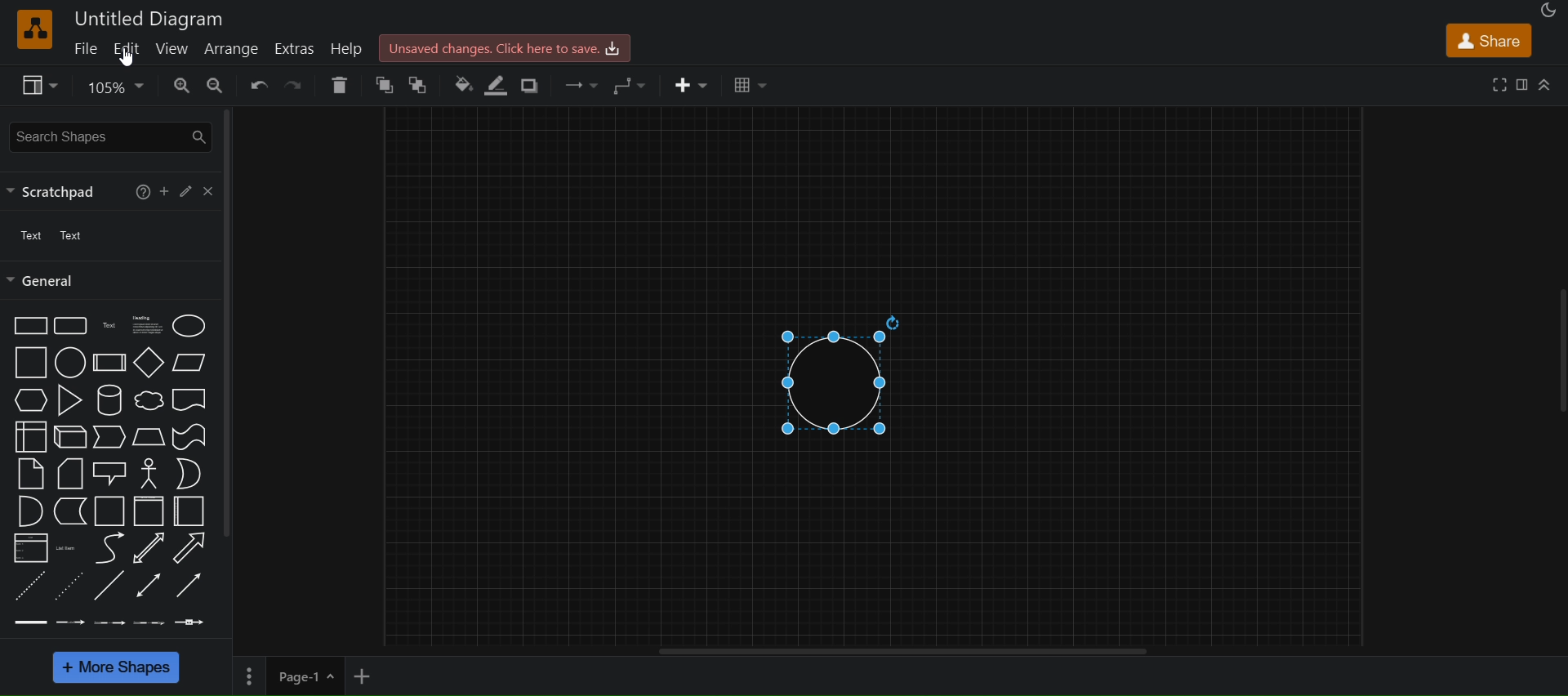  What do you see at coordinates (118, 667) in the screenshot?
I see `more shapes` at bounding box center [118, 667].